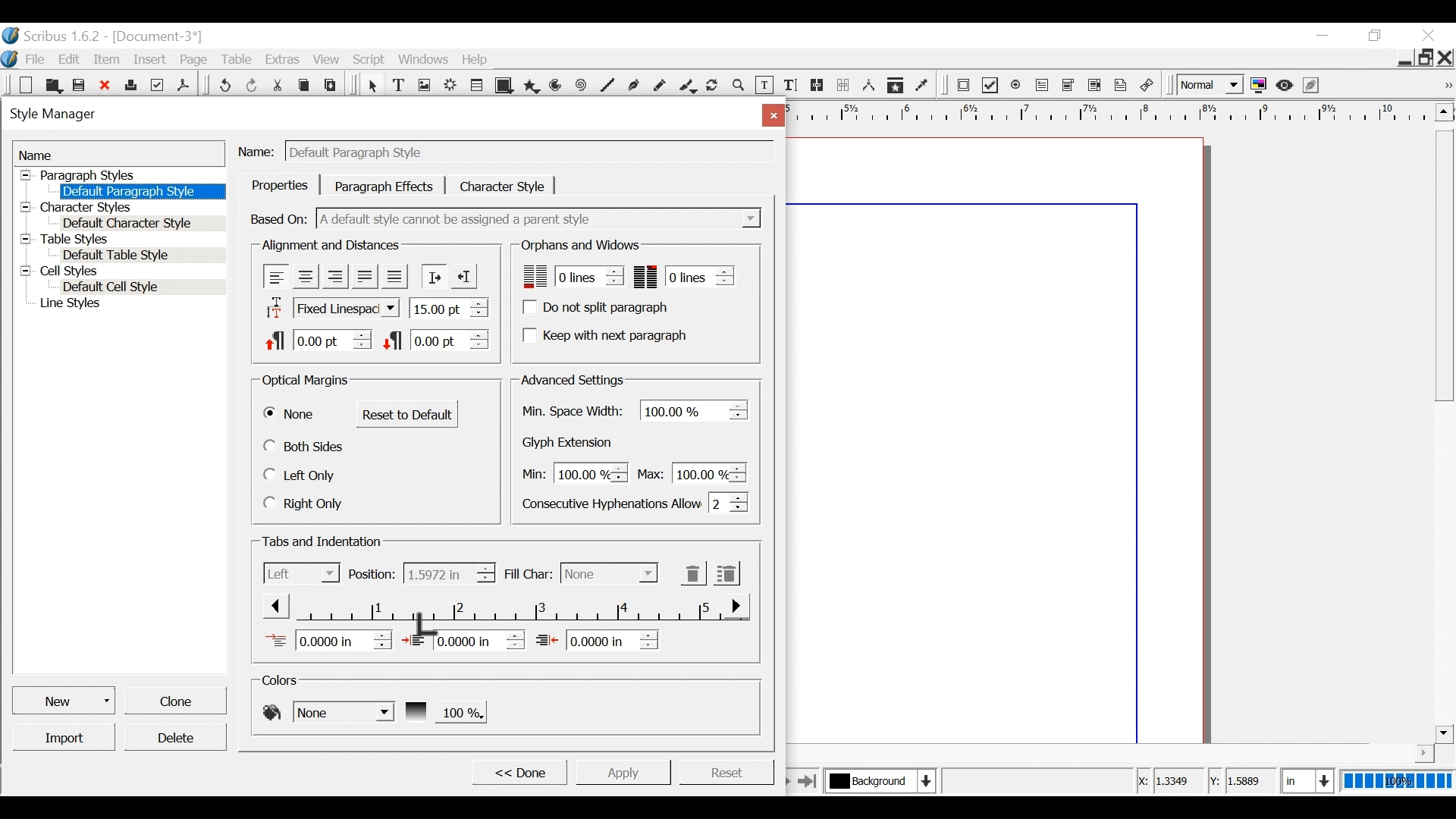 The image size is (1456, 819). Describe the element at coordinates (253, 84) in the screenshot. I see `Redo` at that location.